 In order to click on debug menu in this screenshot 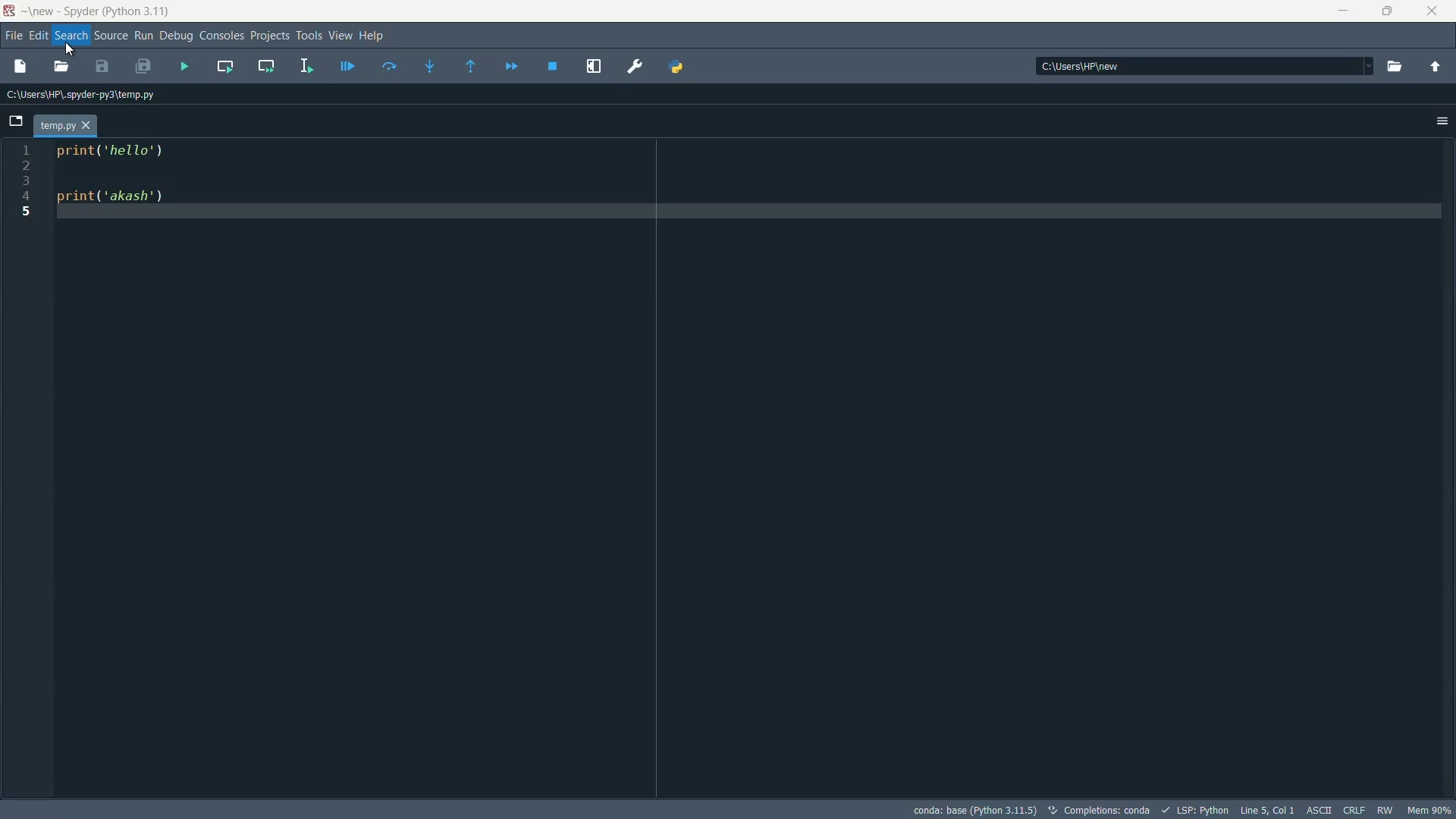, I will do `click(176, 37)`.